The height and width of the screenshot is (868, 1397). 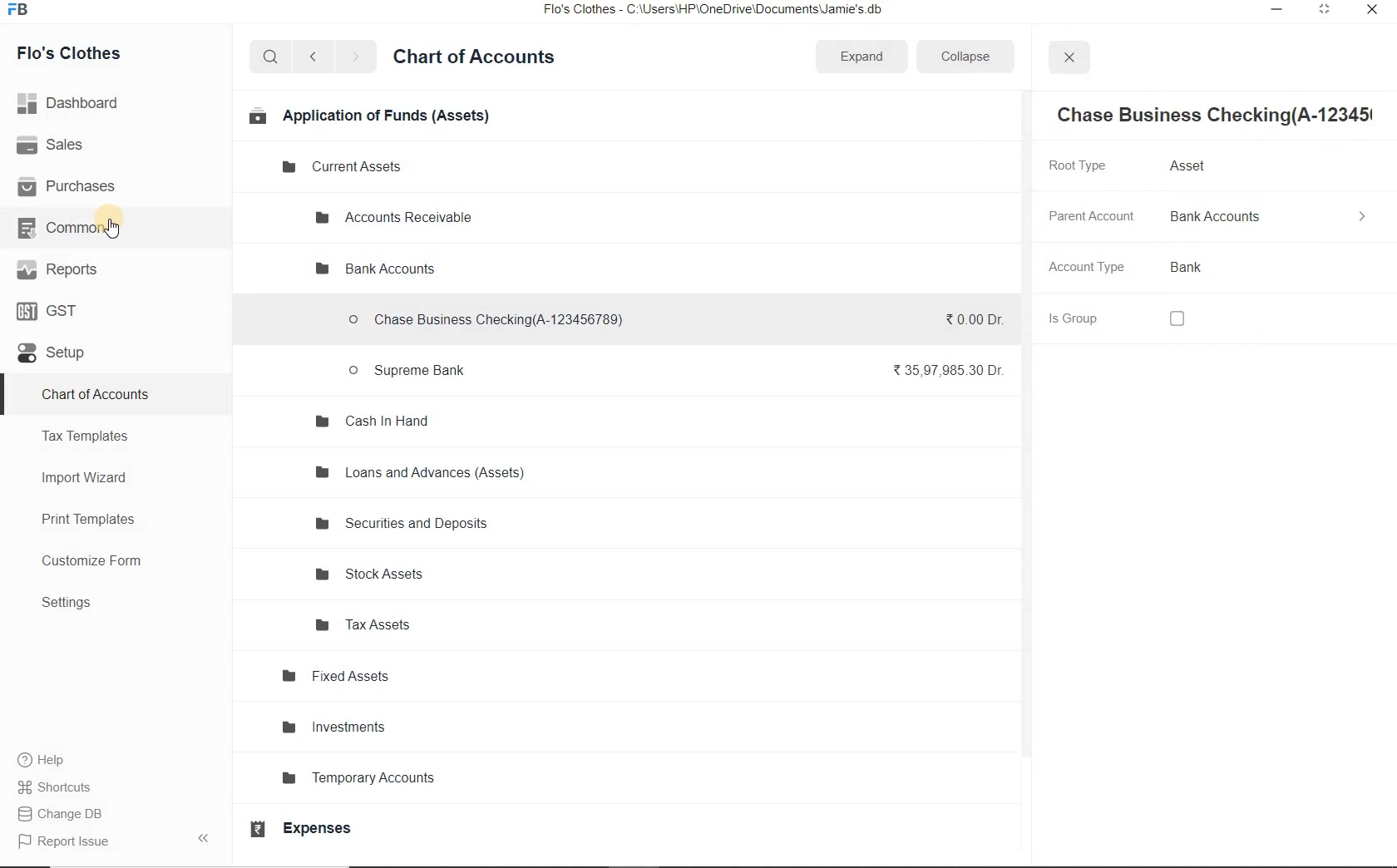 I want to click on Bank, so click(x=1205, y=268).